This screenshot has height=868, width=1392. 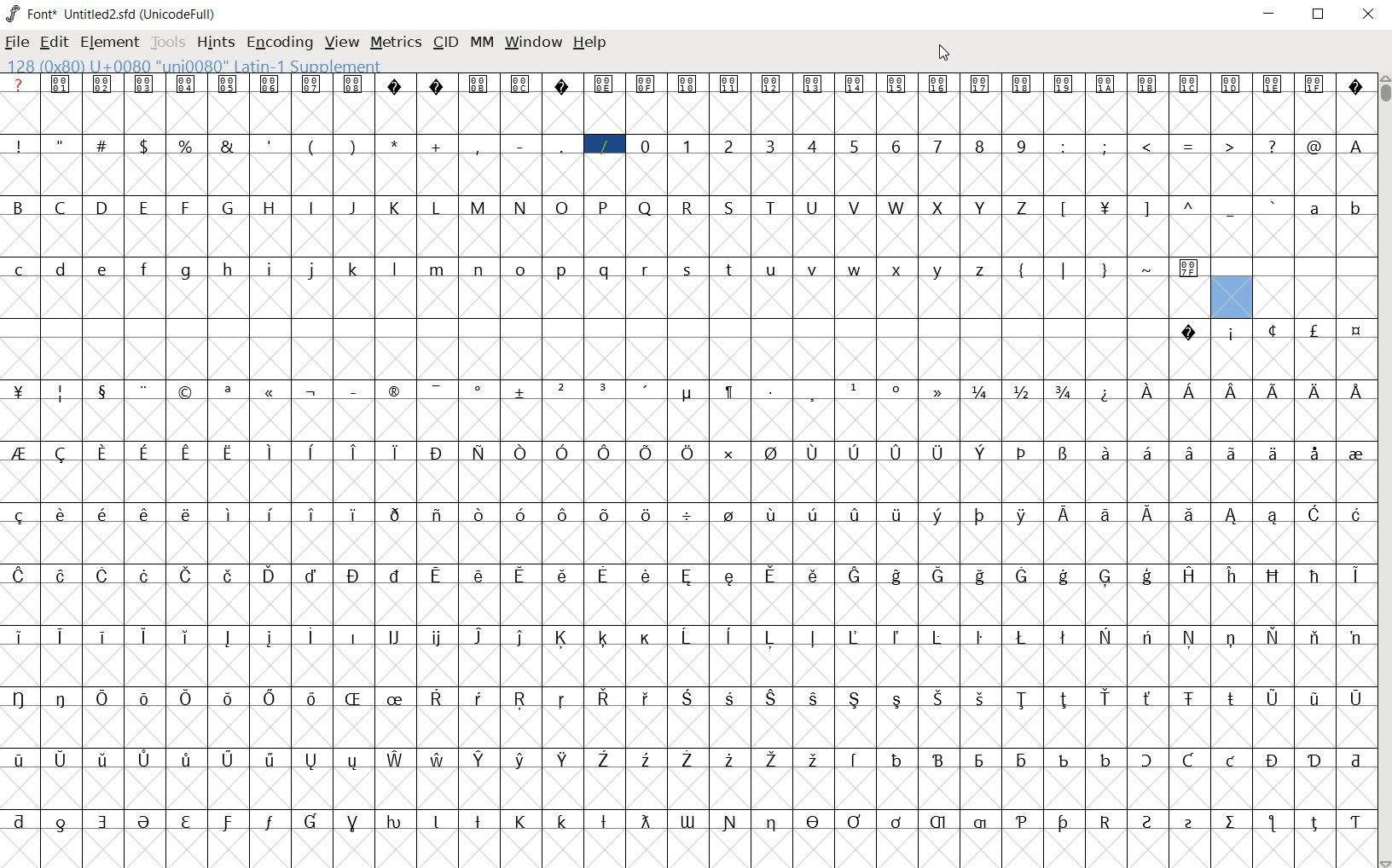 What do you see at coordinates (437, 147) in the screenshot?
I see `glyph` at bounding box center [437, 147].